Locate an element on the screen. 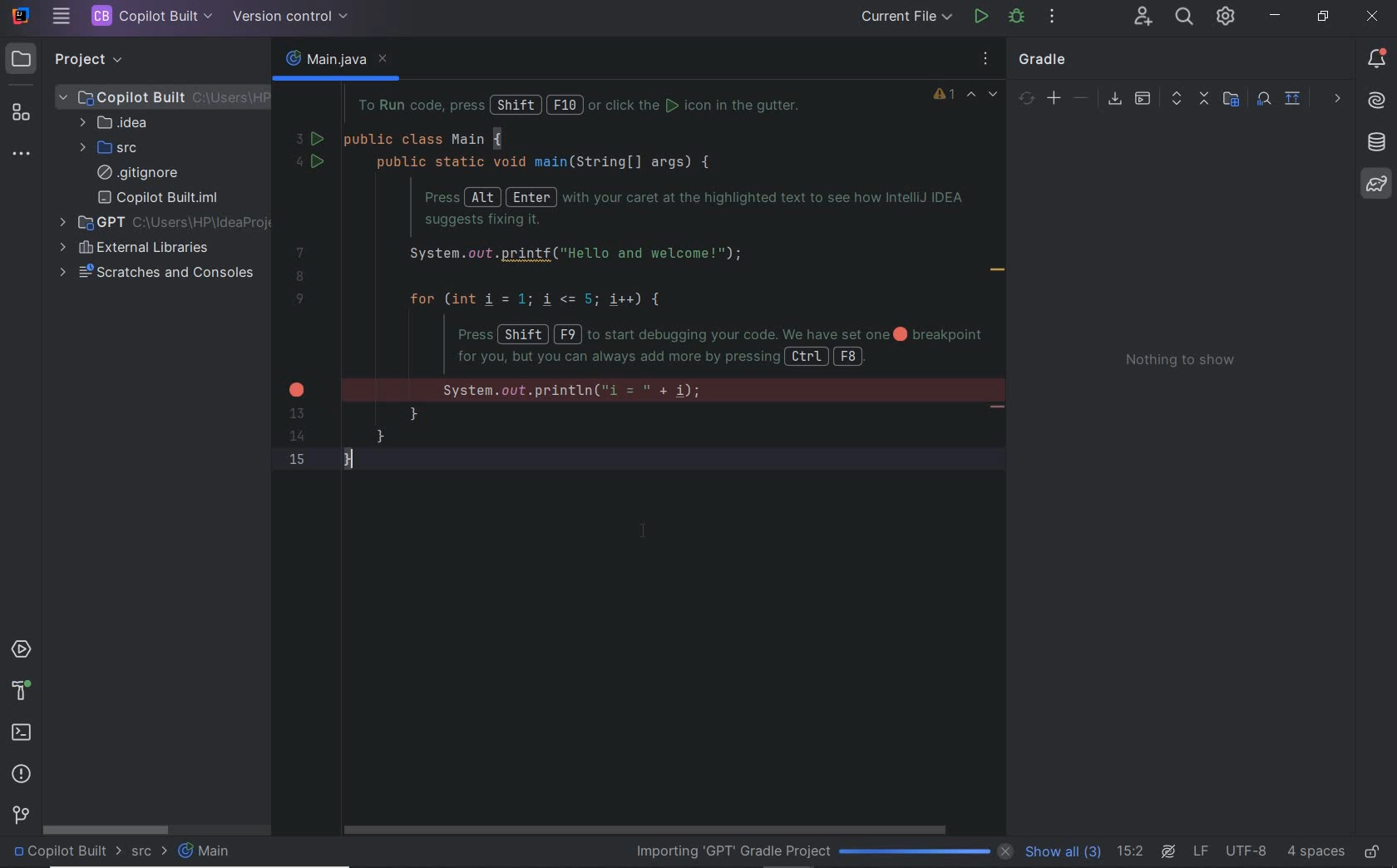  8 is located at coordinates (301, 277).